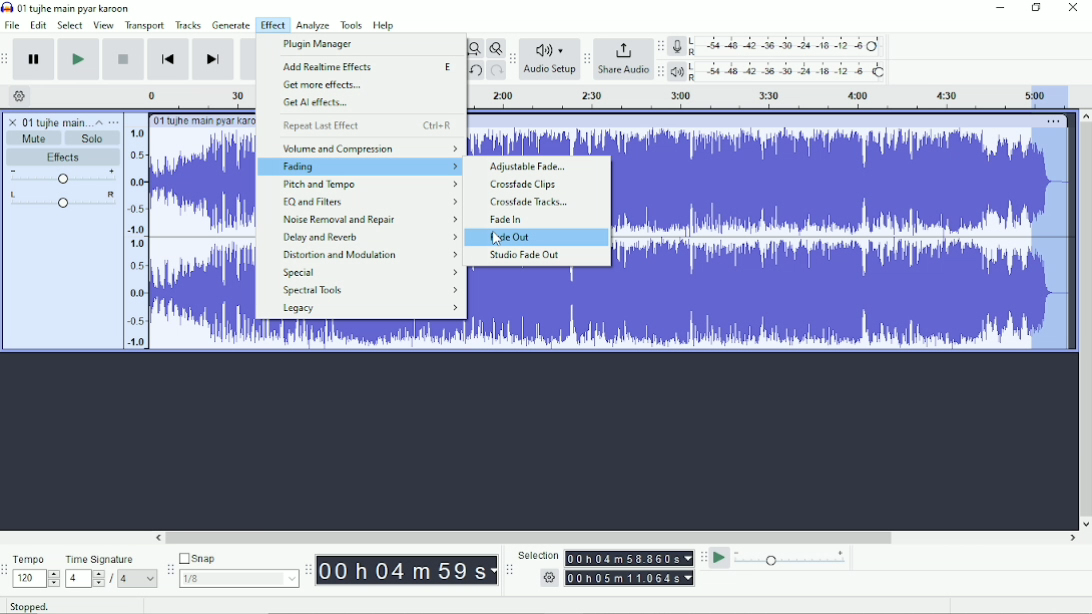  I want to click on File, so click(13, 26).